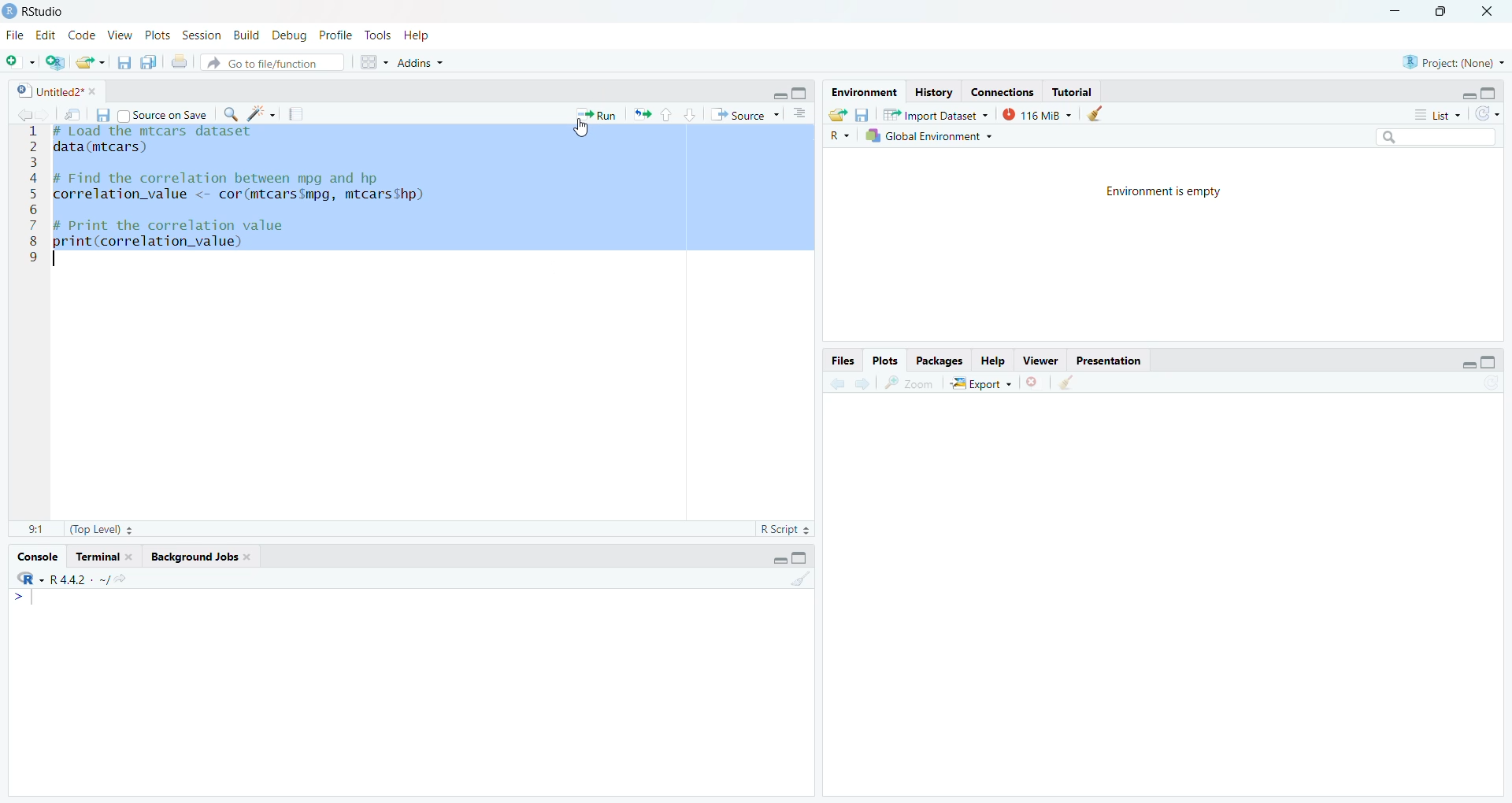 The width and height of the screenshot is (1512, 803). What do you see at coordinates (376, 35) in the screenshot?
I see `Tools` at bounding box center [376, 35].